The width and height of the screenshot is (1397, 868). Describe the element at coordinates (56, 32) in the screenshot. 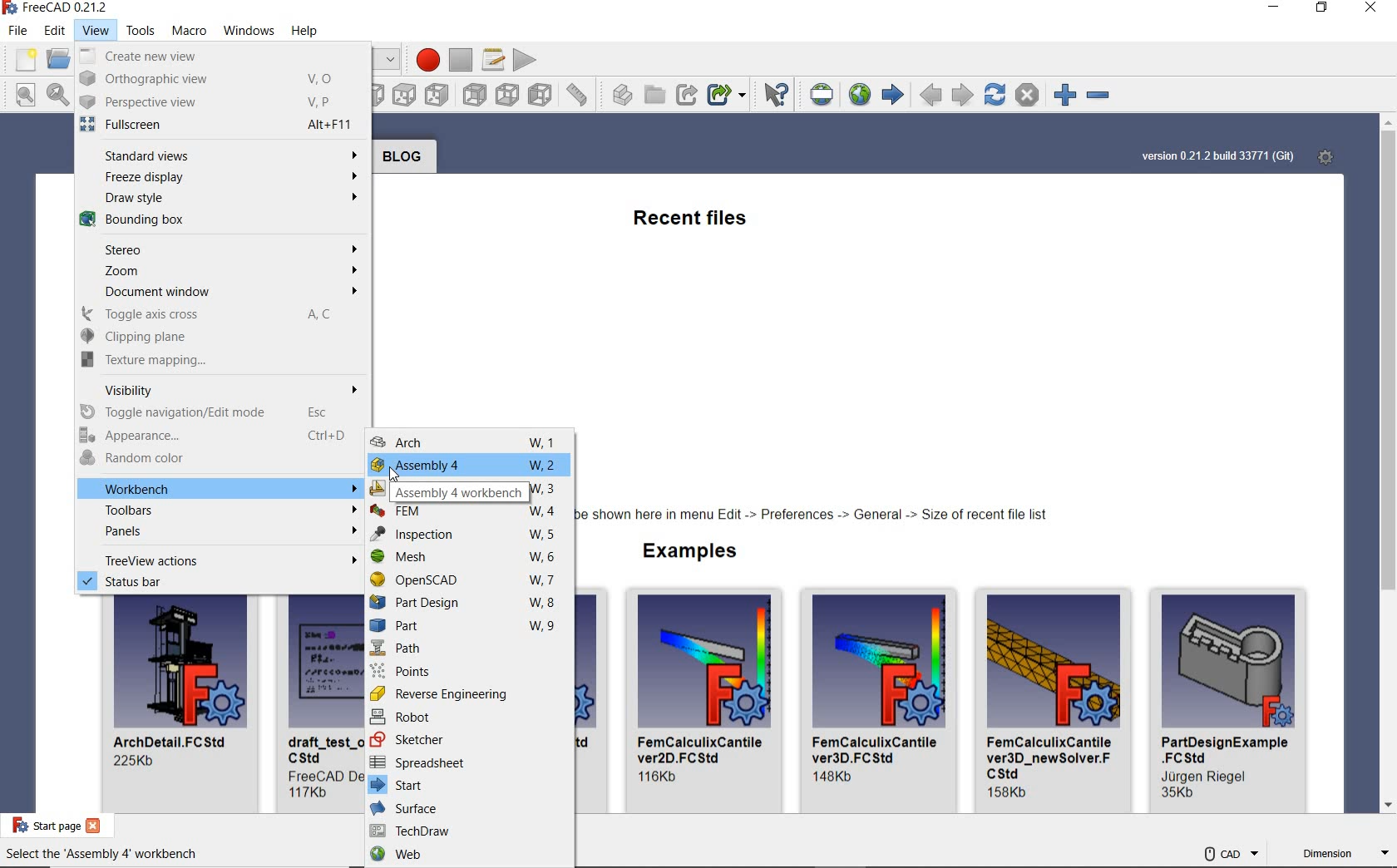

I see `edit` at that location.